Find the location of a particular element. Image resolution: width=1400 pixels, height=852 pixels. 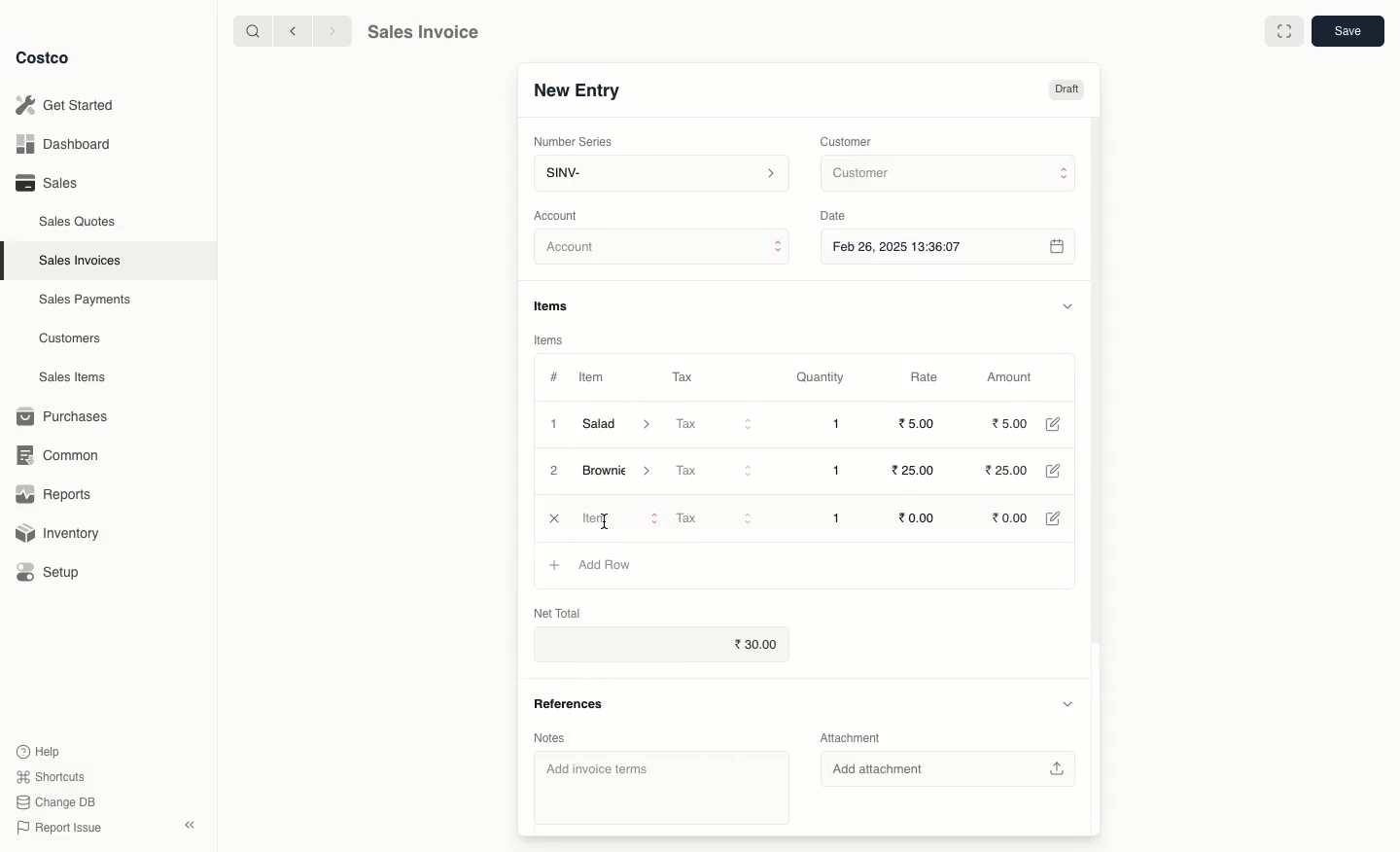

‘Add invoice terms is located at coordinates (663, 784).